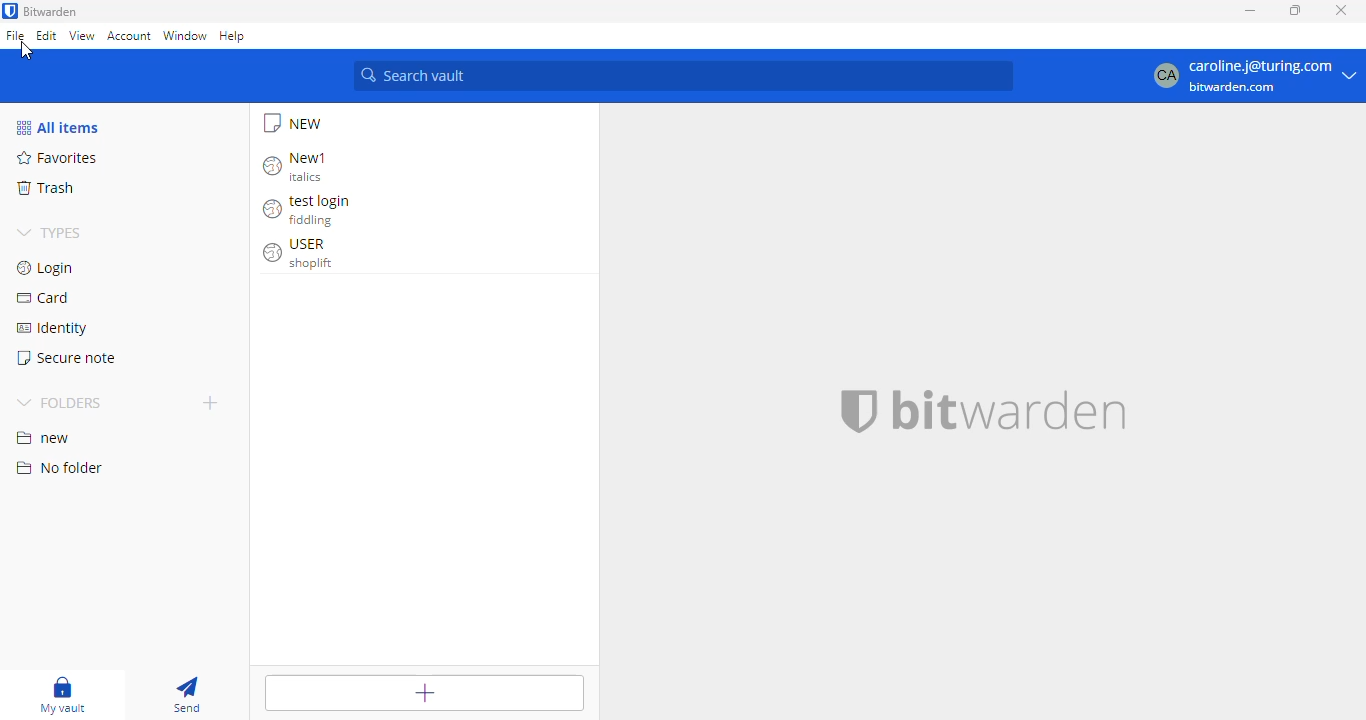 Image resolution: width=1366 pixels, height=720 pixels. I want to click on USER      shoplift, so click(301, 254).